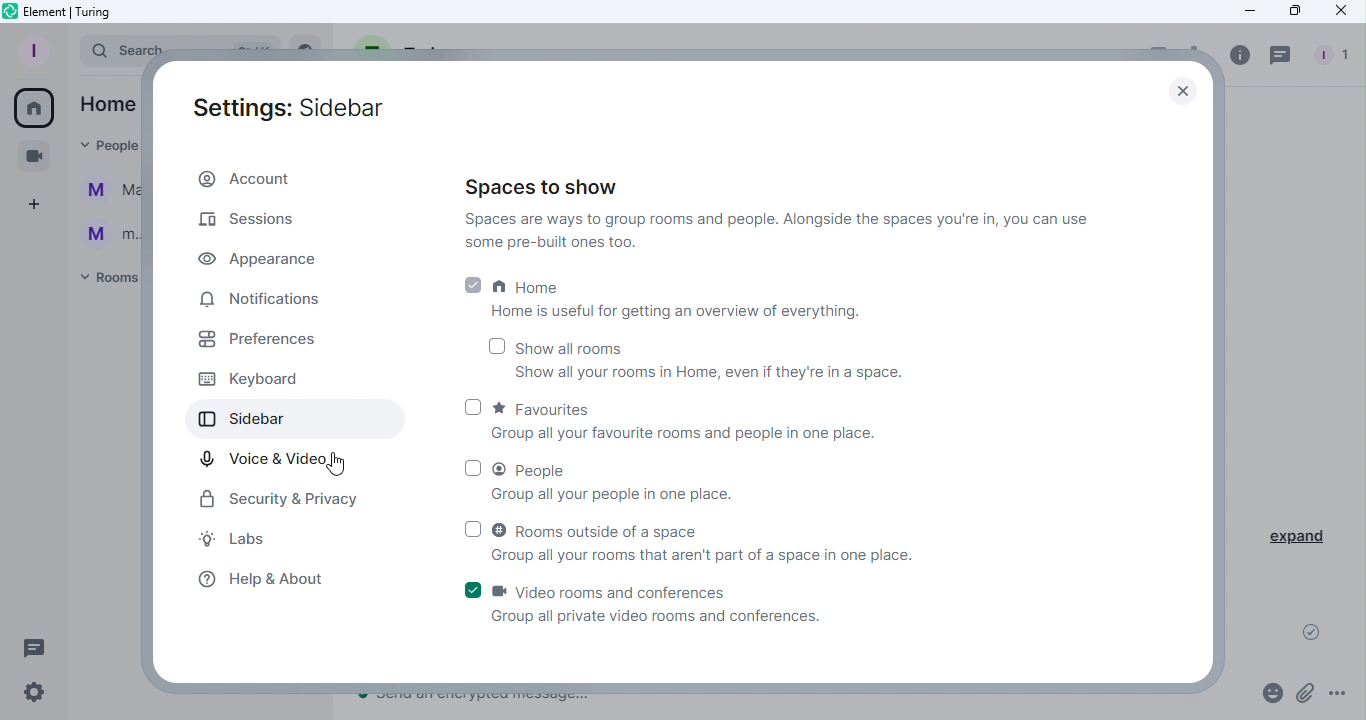 This screenshot has width=1366, height=720. I want to click on Element icon, so click(84, 13).